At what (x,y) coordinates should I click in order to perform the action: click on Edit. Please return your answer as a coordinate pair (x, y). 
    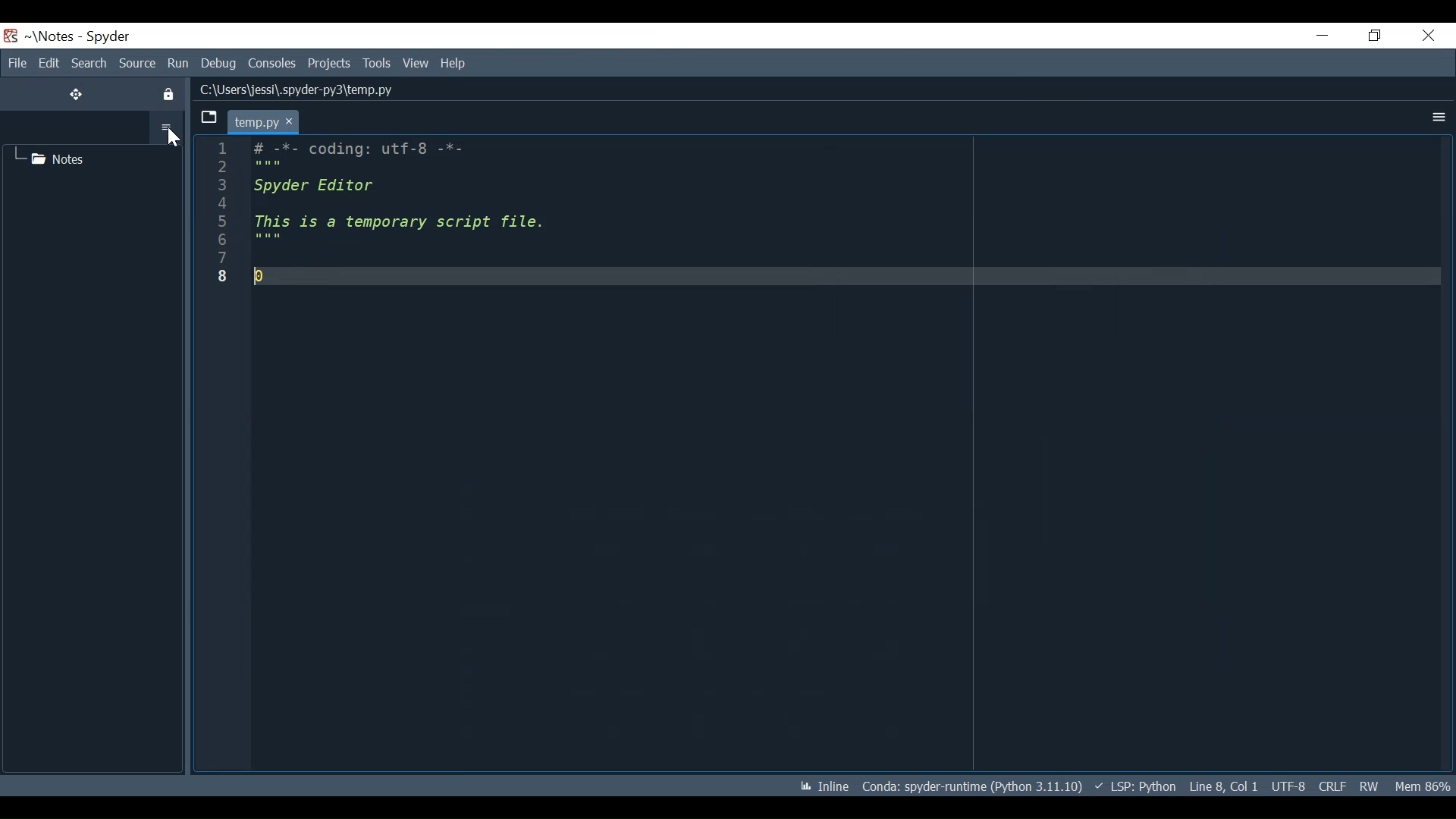
    Looking at the image, I should click on (49, 63).